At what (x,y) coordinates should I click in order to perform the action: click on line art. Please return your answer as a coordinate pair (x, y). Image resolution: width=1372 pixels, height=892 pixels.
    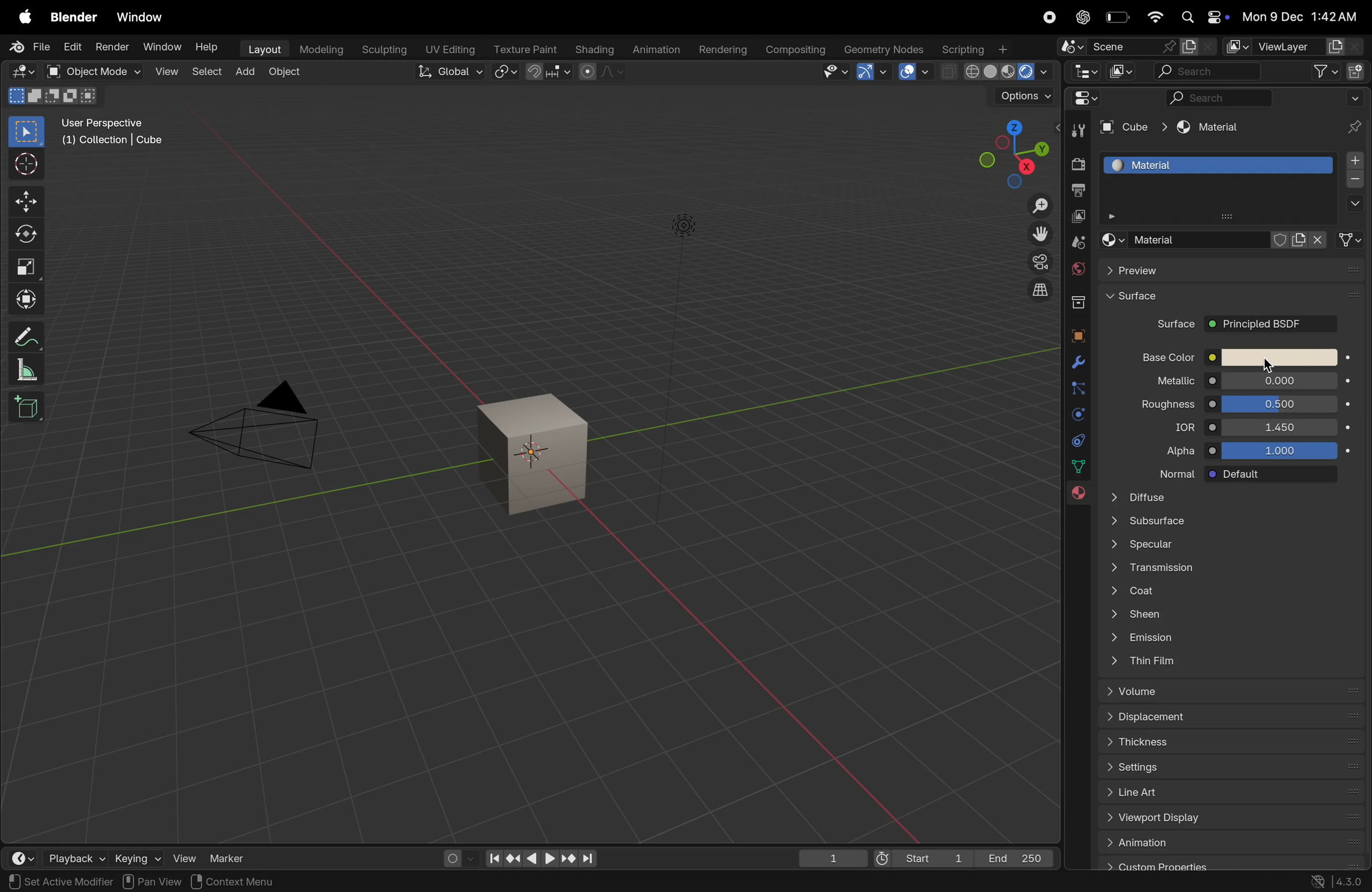
    Looking at the image, I should click on (1226, 792).